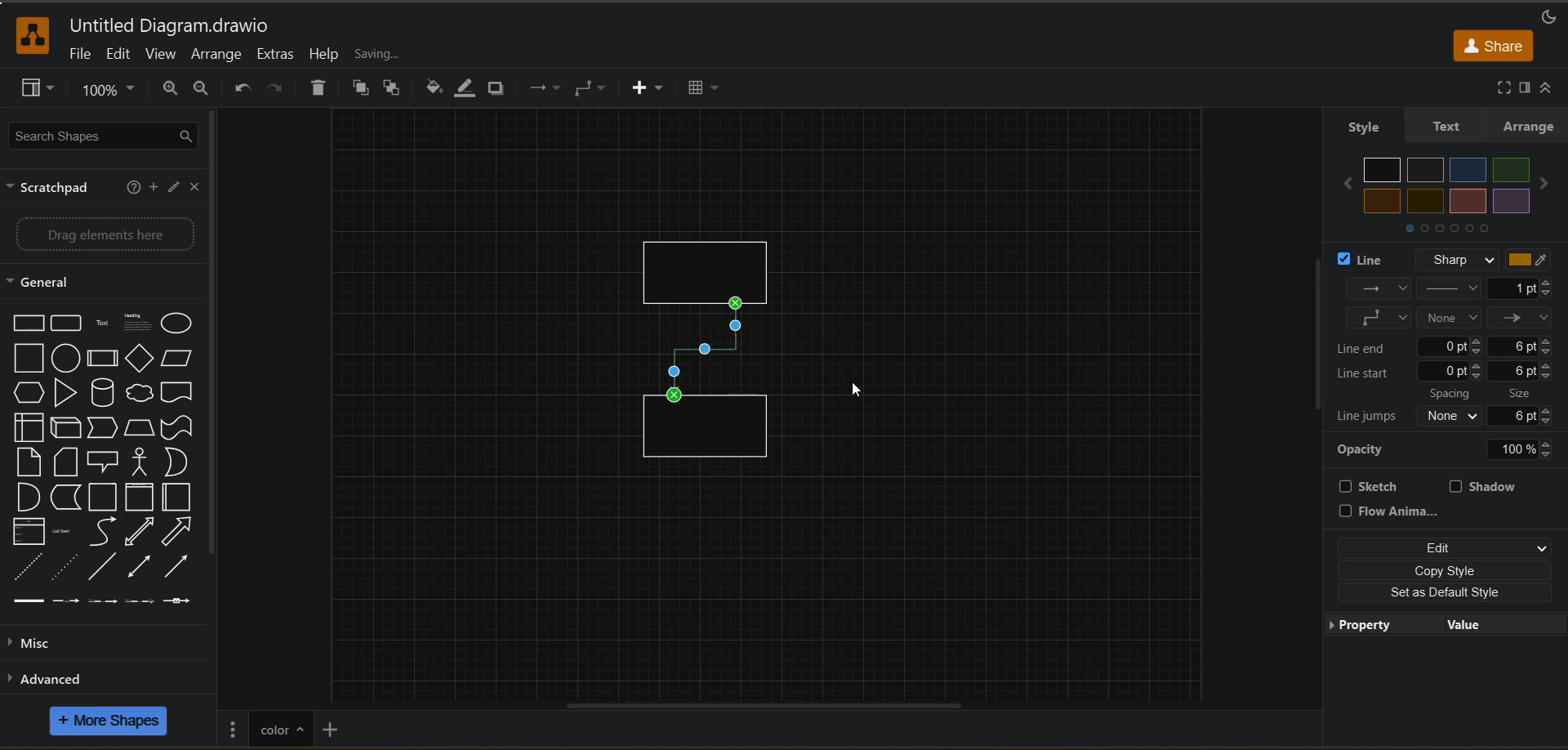 The height and width of the screenshot is (750, 1568). What do you see at coordinates (180, 325) in the screenshot?
I see `Eclipse` at bounding box center [180, 325].